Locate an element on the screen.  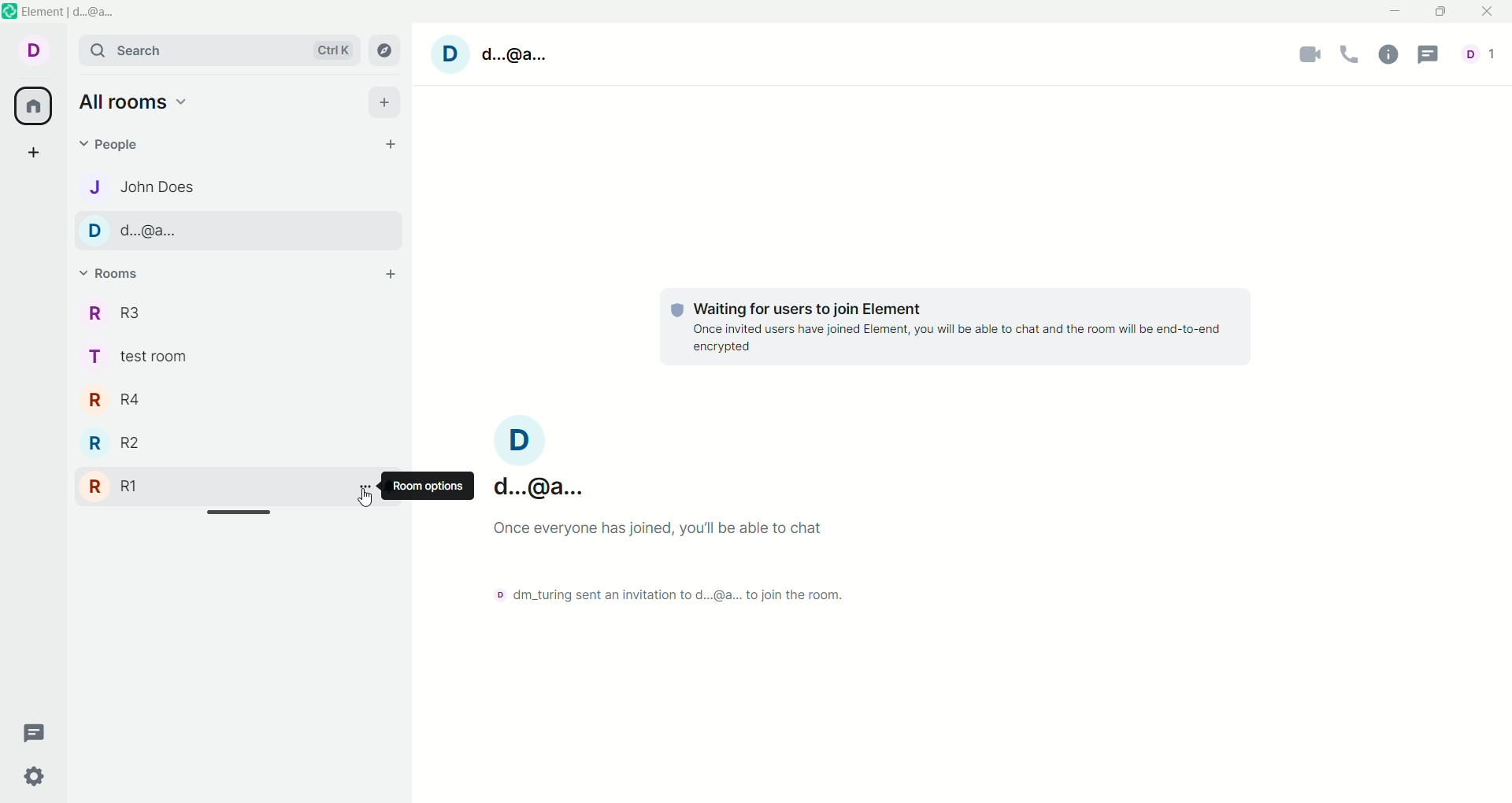
people is located at coordinates (116, 147).